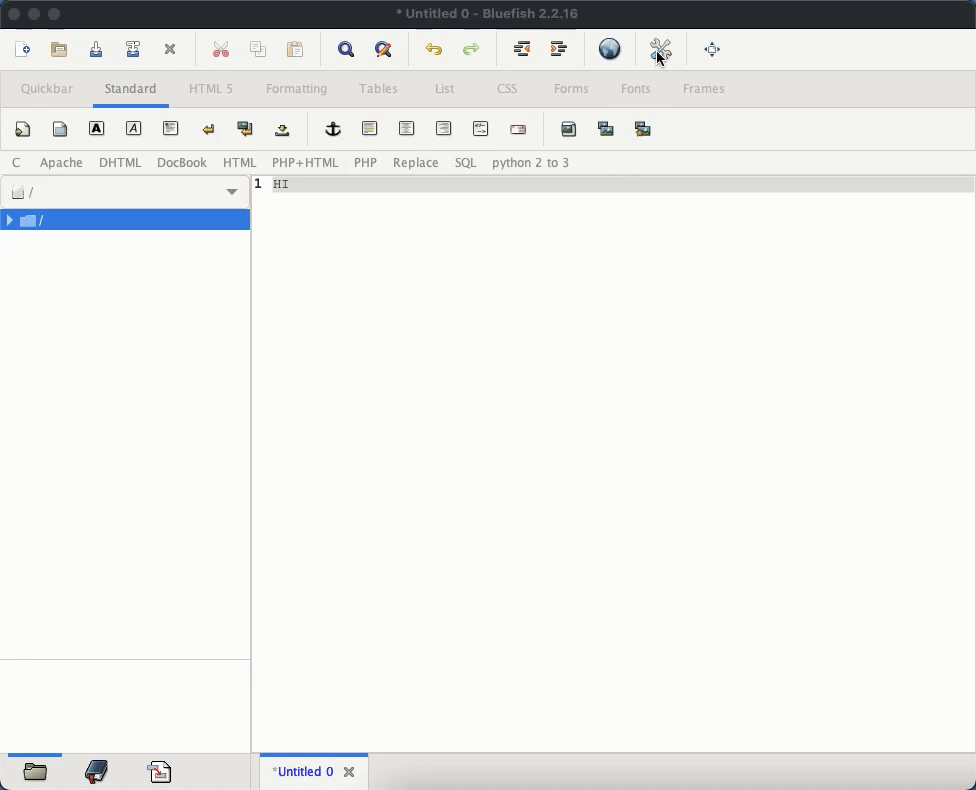 This screenshot has height=790, width=976. What do you see at coordinates (171, 127) in the screenshot?
I see `paragraph` at bounding box center [171, 127].